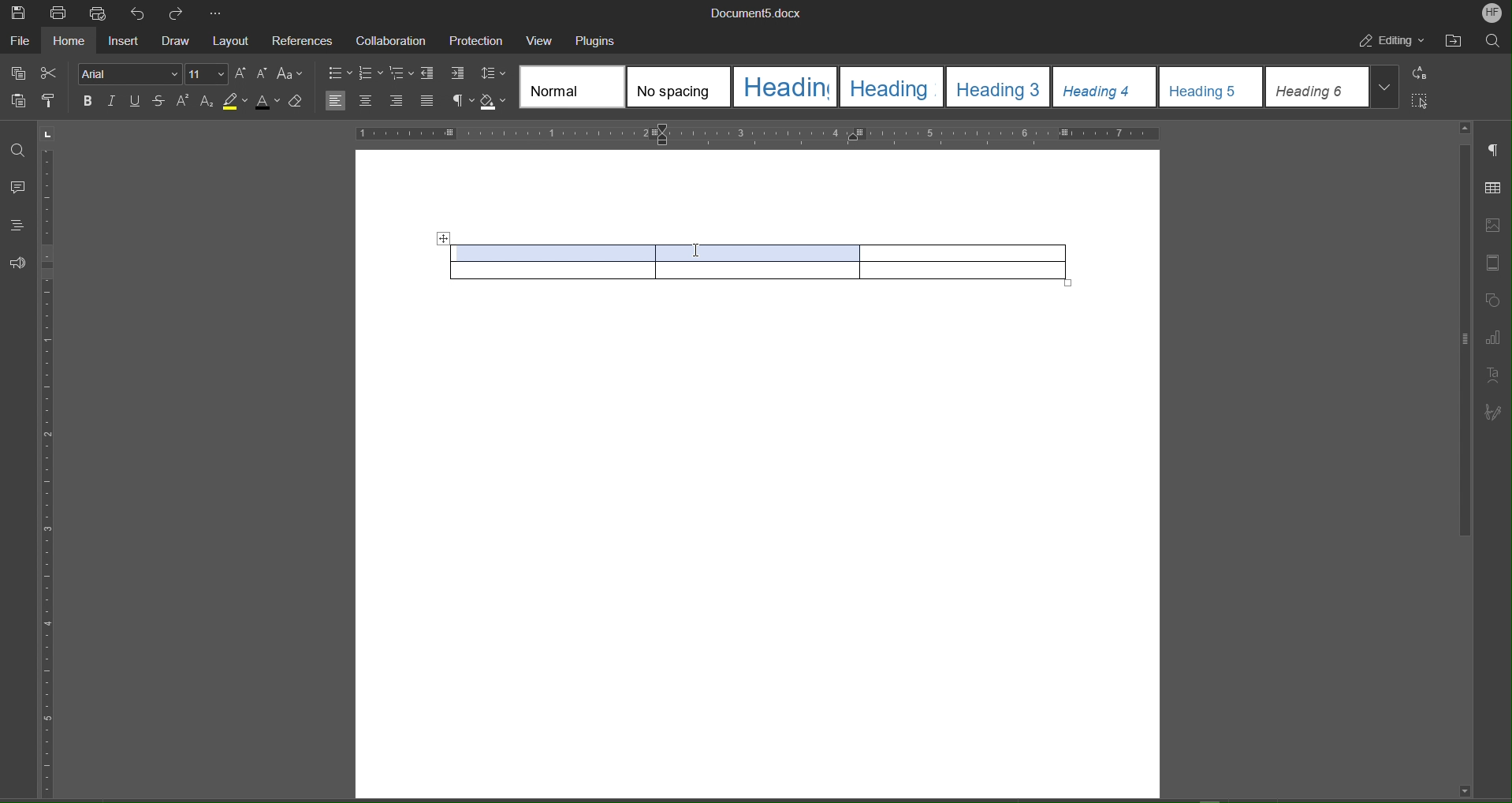 The width and height of the screenshot is (1512, 803). What do you see at coordinates (18, 263) in the screenshot?
I see `Feedback and Support` at bounding box center [18, 263].